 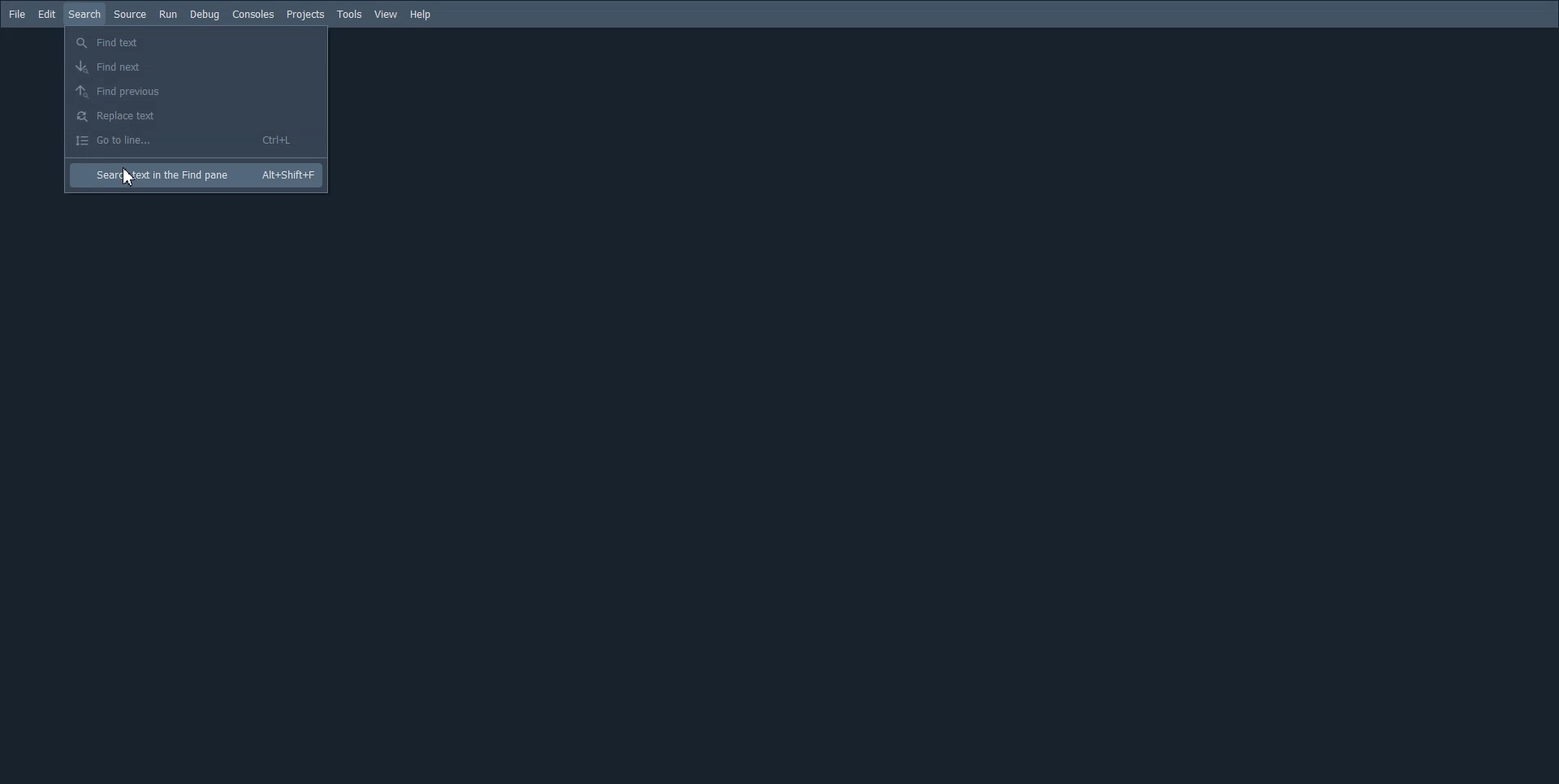 I want to click on View, so click(x=386, y=13).